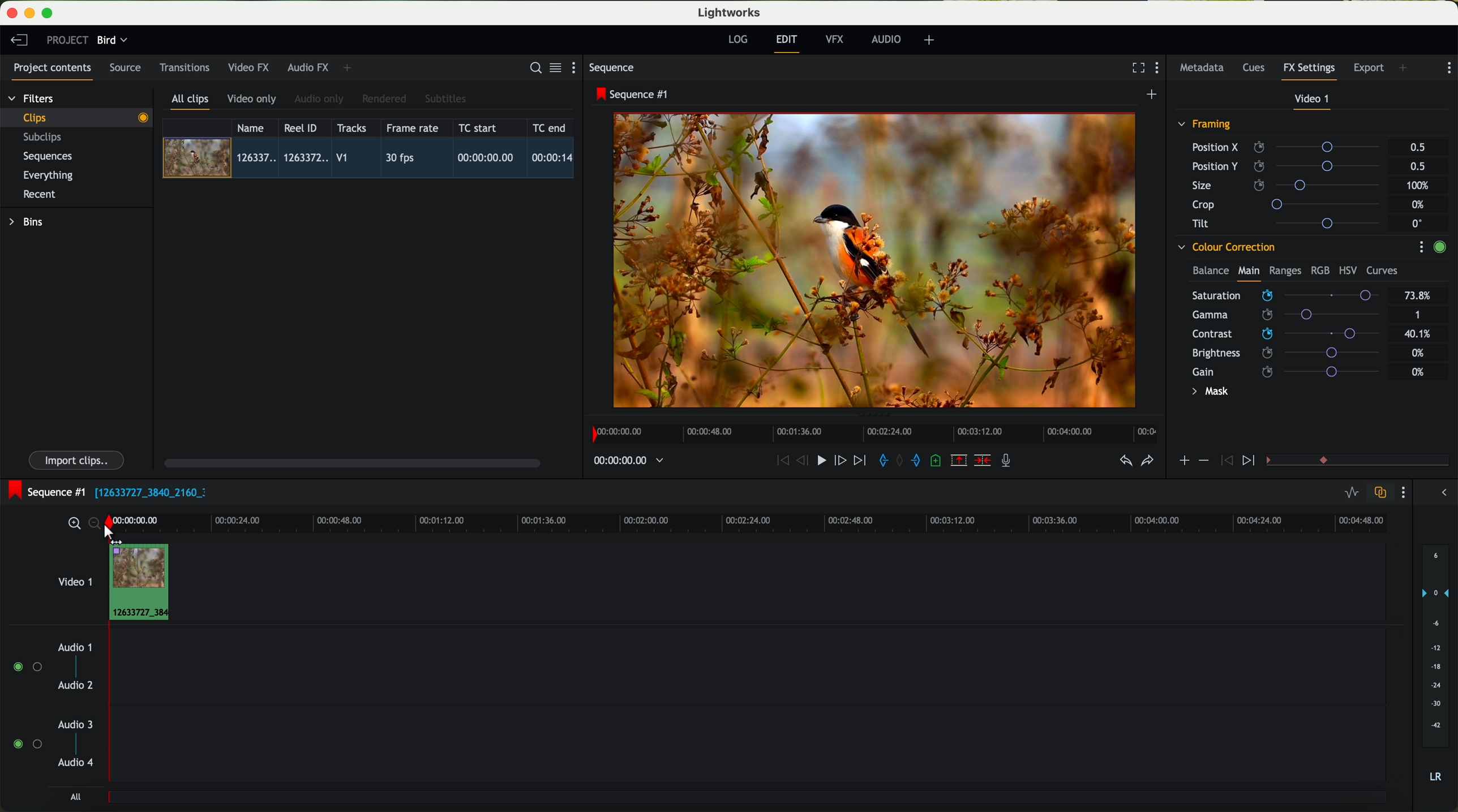 This screenshot has height=812, width=1458. I want to click on icon, so click(1183, 462).